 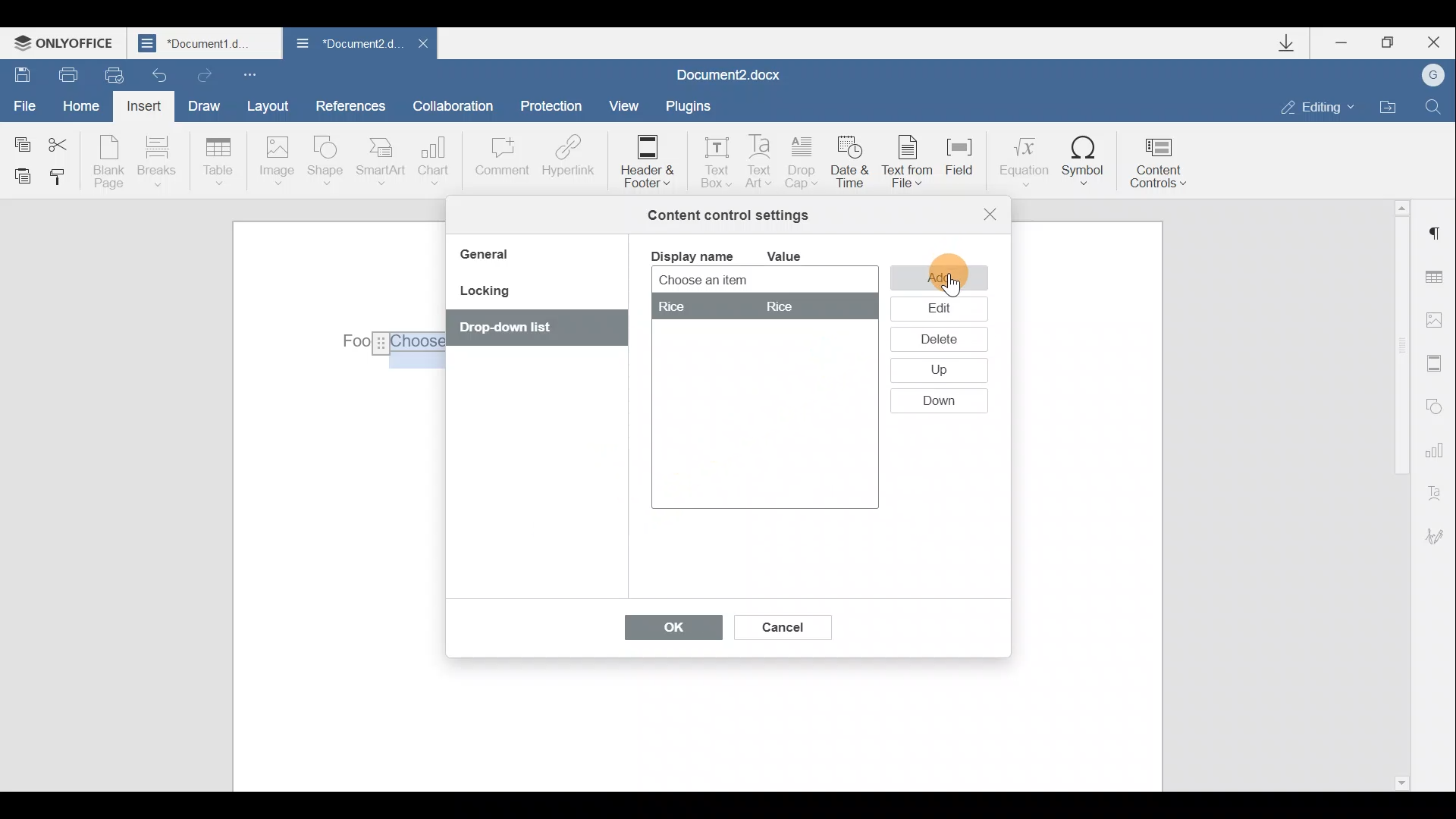 What do you see at coordinates (206, 42) in the screenshot?
I see `Document1 d..` at bounding box center [206, 42].